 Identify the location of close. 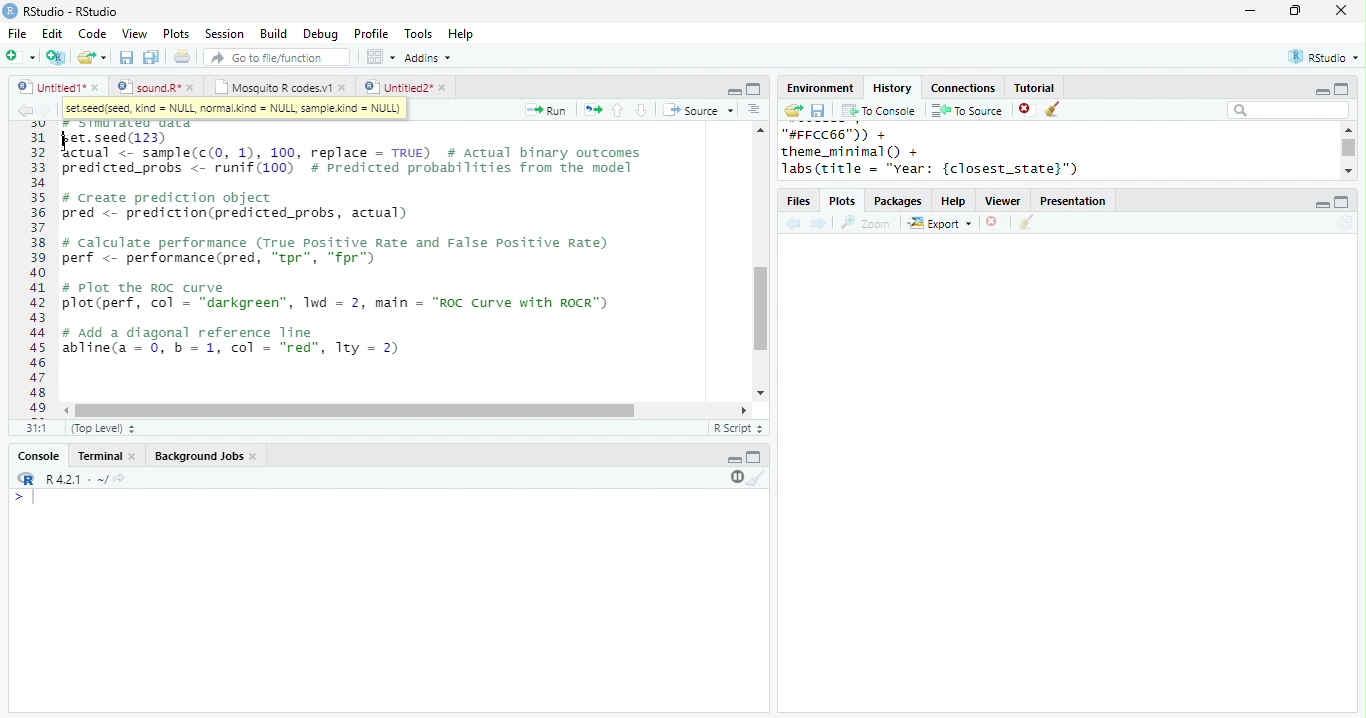
(256, 457).